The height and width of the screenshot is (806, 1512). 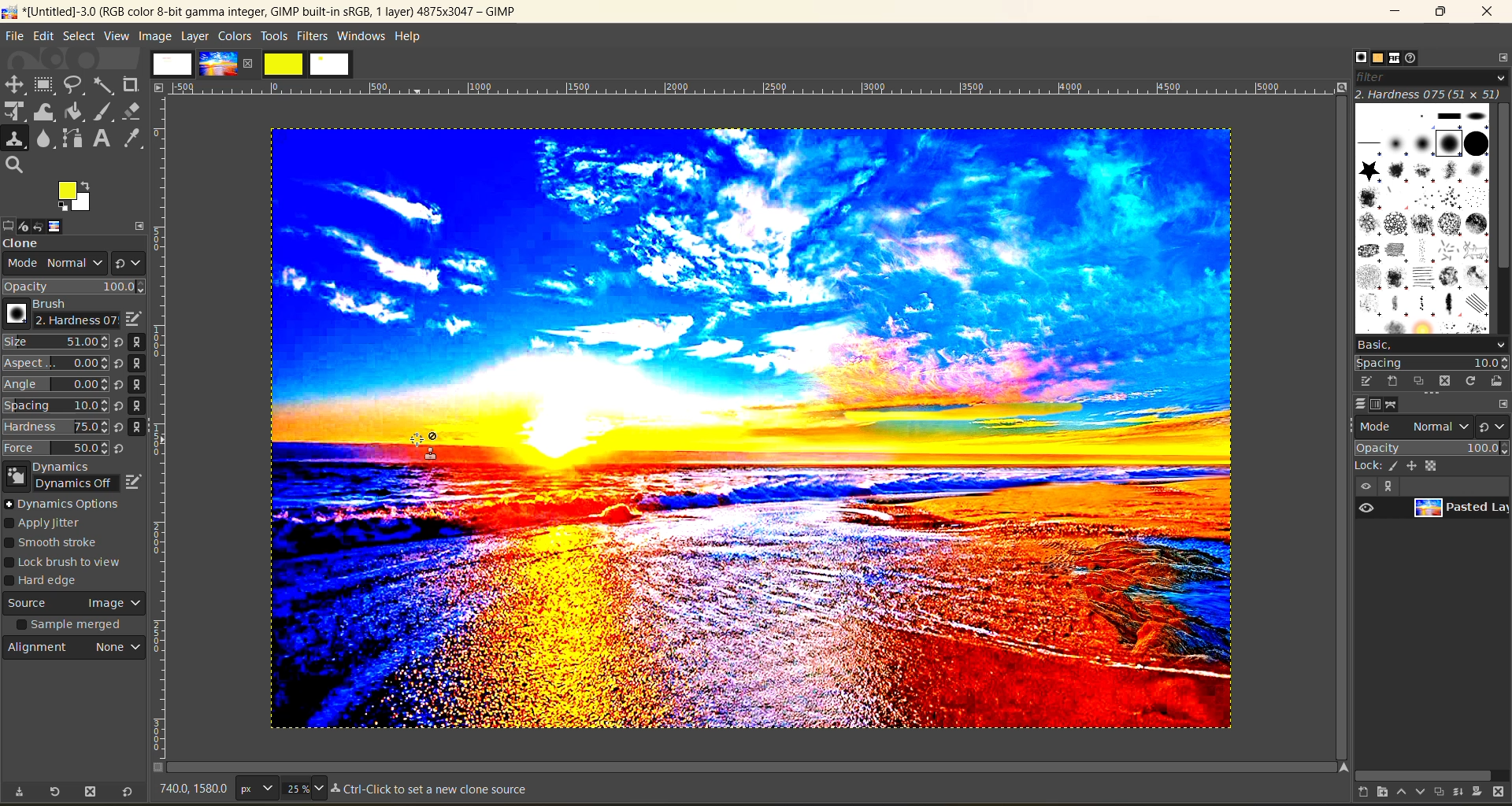 What do you see at coordinates (254, 788) in the screenshot?
I see `px` at bounding box center [254, 788].